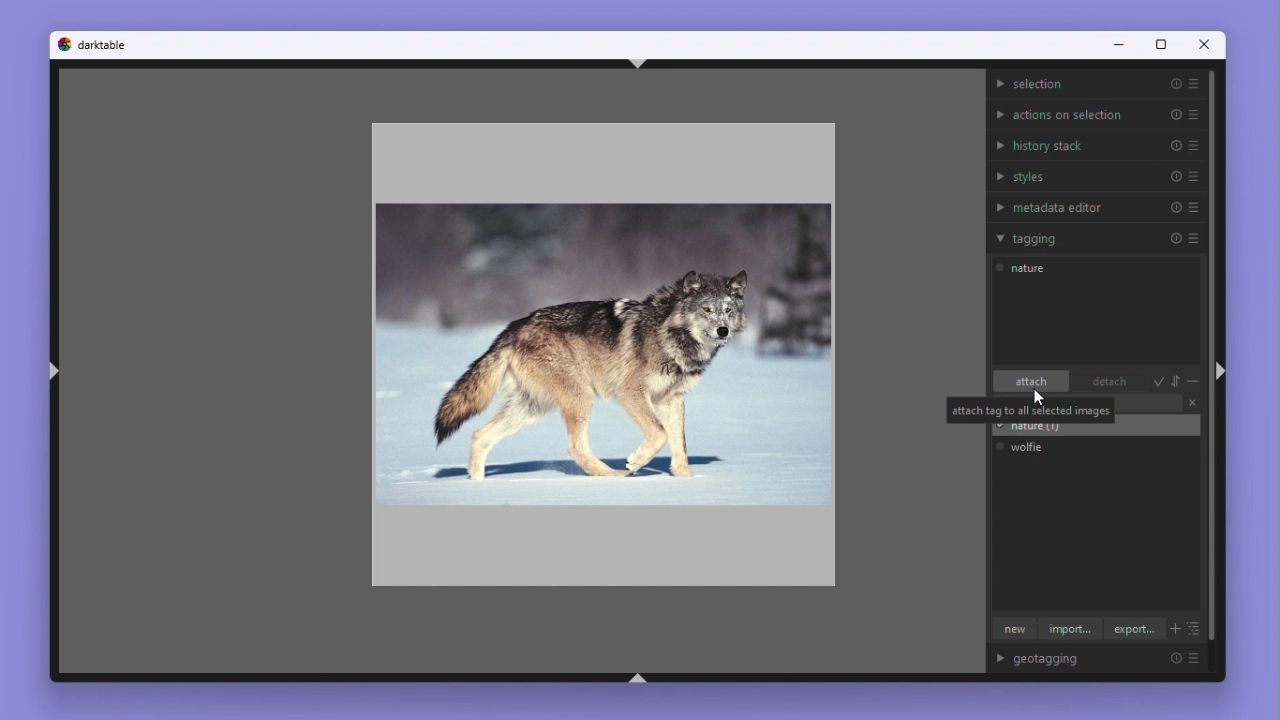 The image size is (1280, 720). Describe the element at coordinates (1070, 631) in the screenshot. I see `Import` at that location.